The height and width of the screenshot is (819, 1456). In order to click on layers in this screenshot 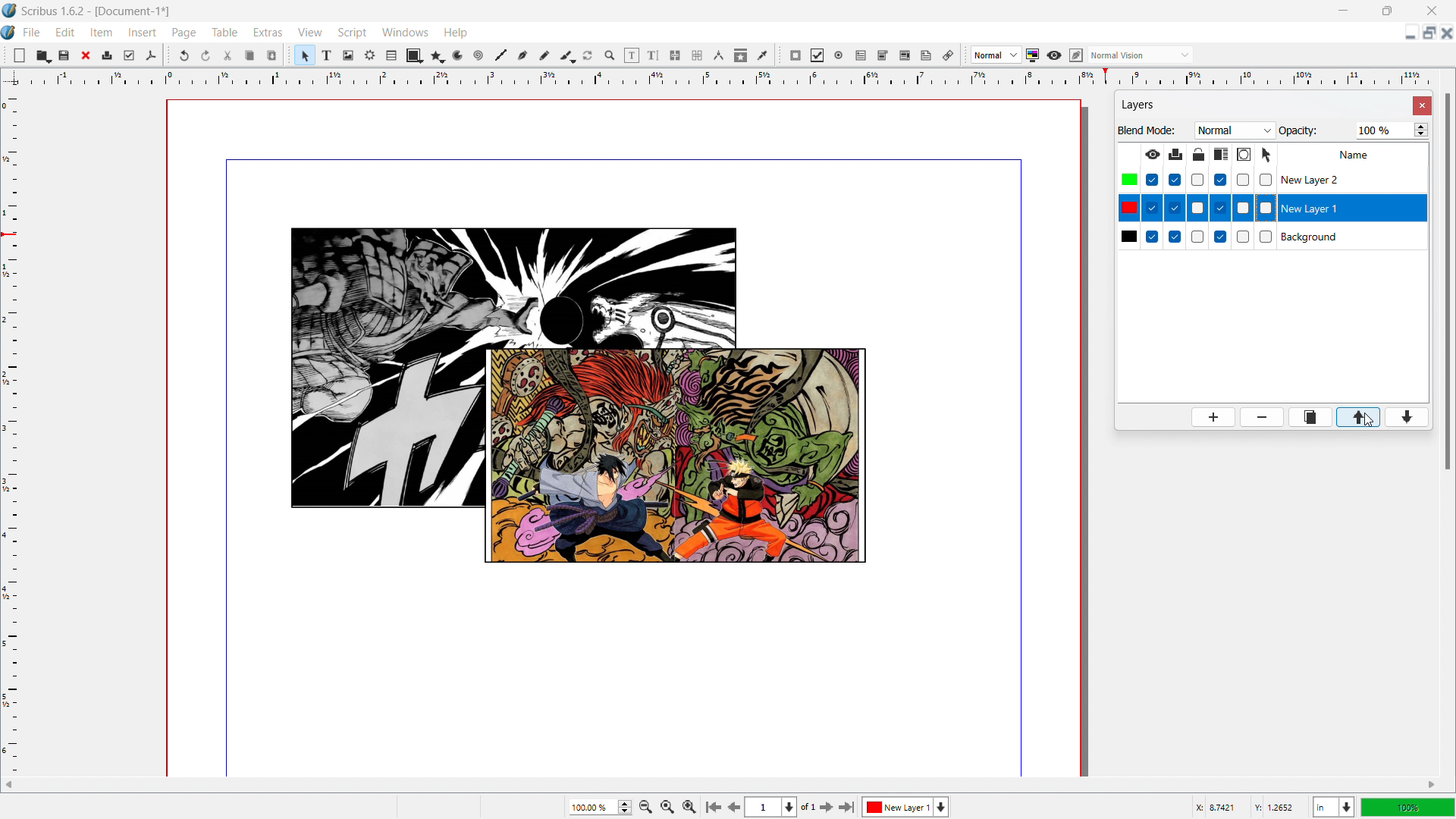, I will do `click(1142, 103)`.